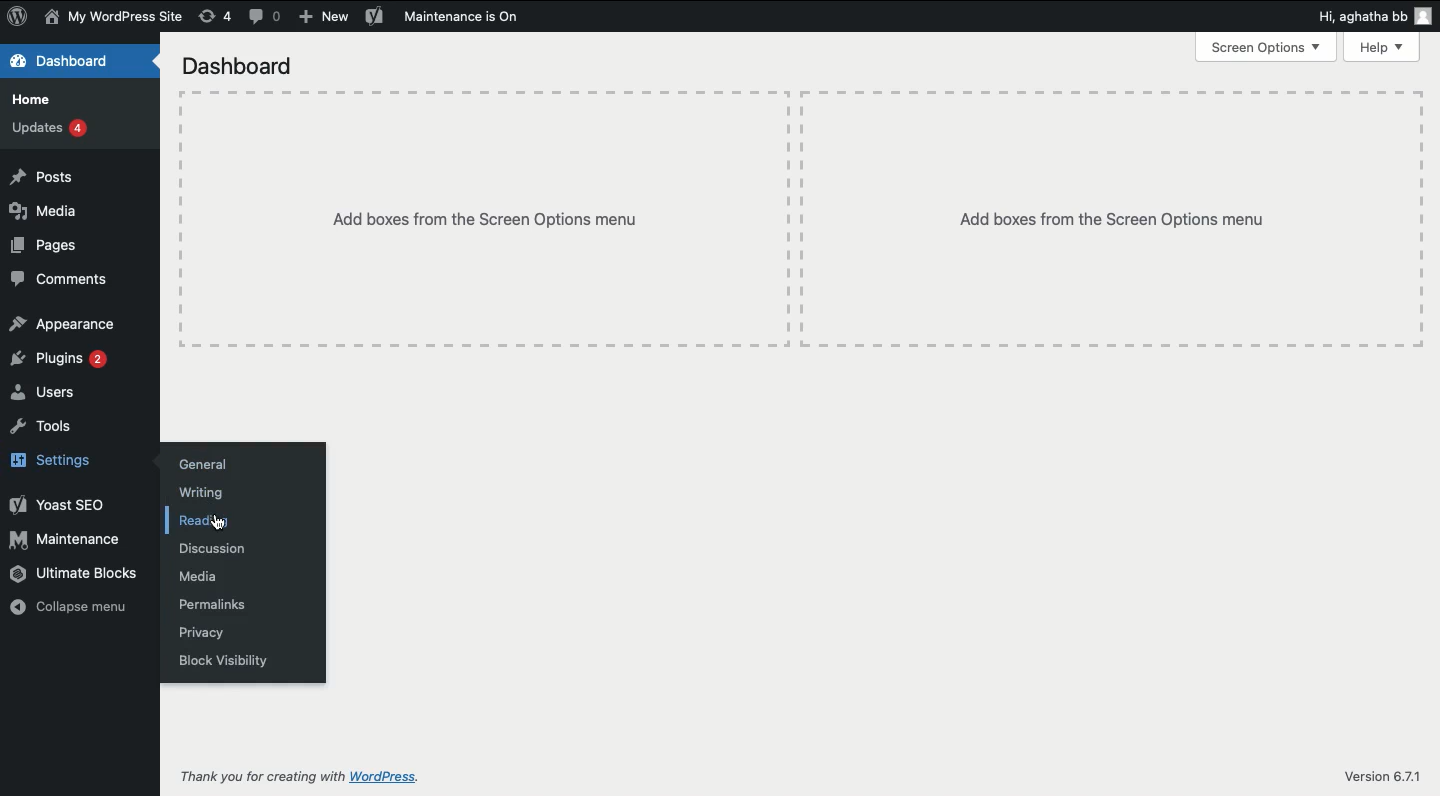 This screenshot has width=1440, height=796. Describe the element at coordinates (53, 129) in the screenshot. I see `updates 4` at that location.